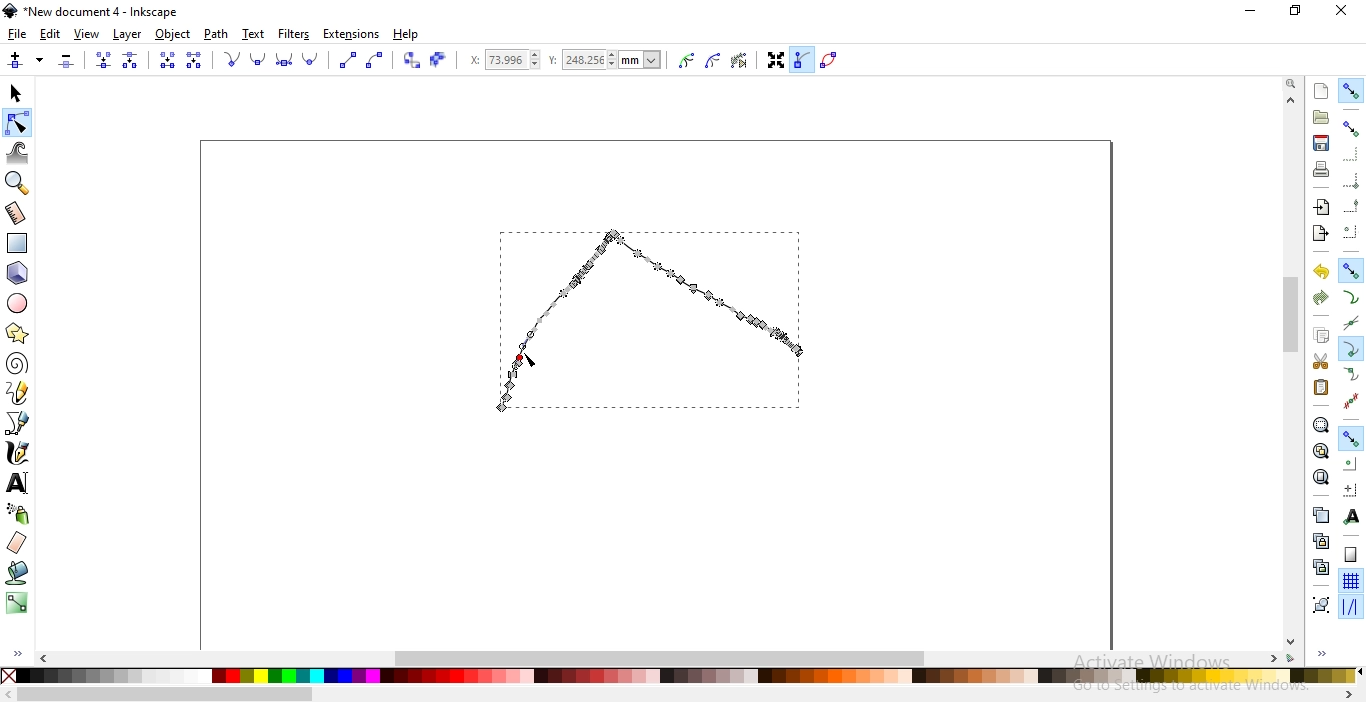 This screenshot has height=702, width=1366. Describe the element at coordinates (103, 61) in the screenshot. I see `join selected nodes` at that location.